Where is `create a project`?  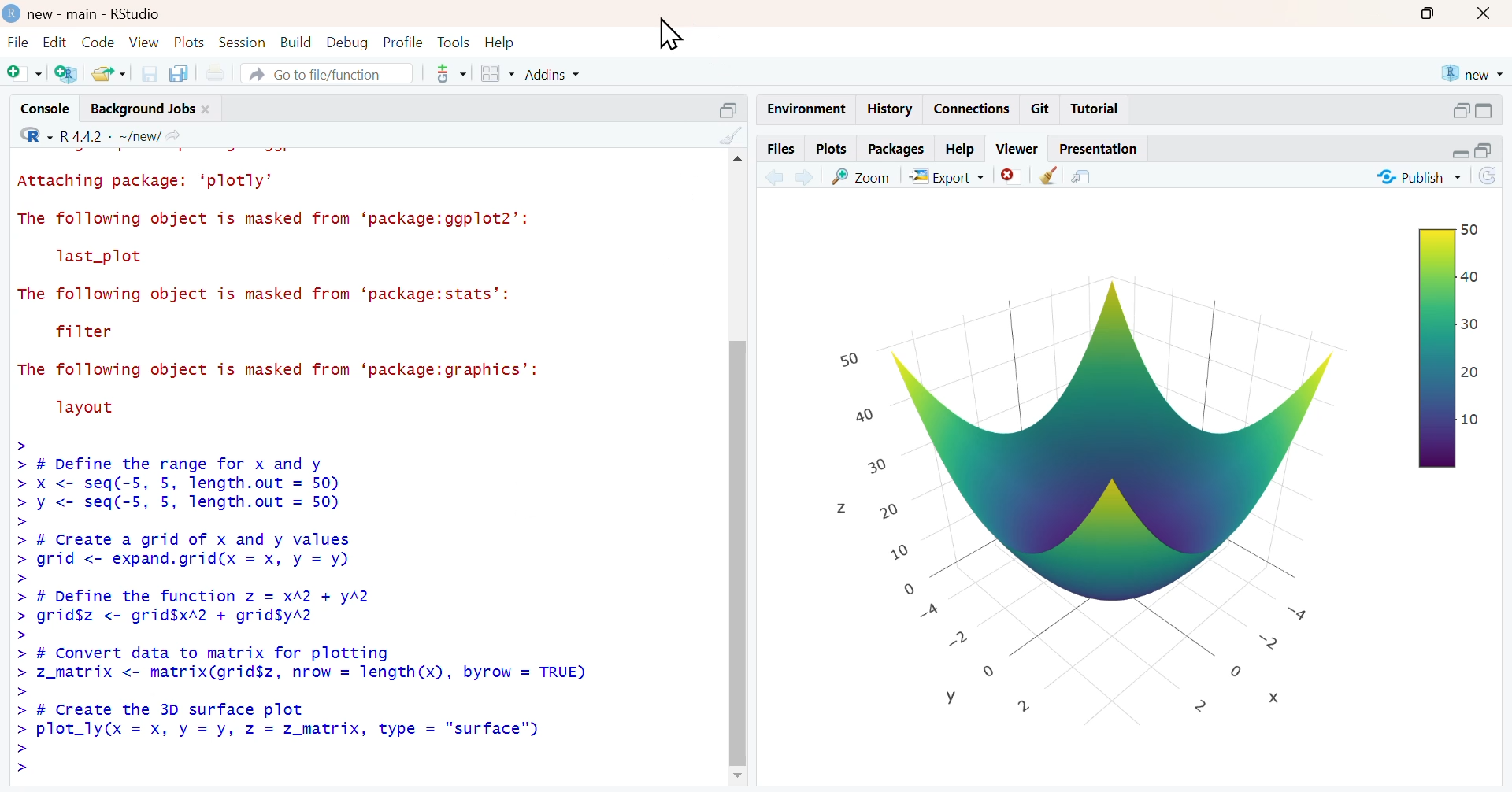 create a project is located at coordinates (66, 75).